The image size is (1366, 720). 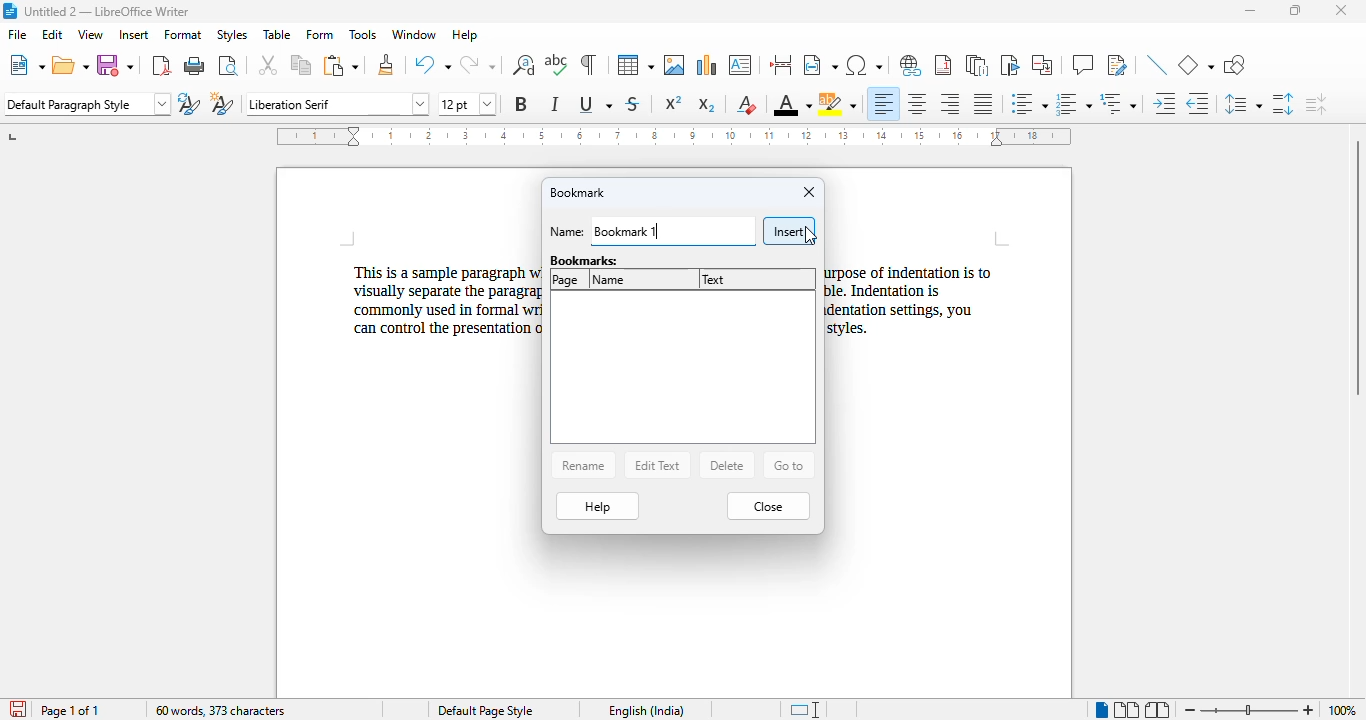 What do you see at coordinates (1196, 64) in the screenshot?
I see `basic shapes` at bounding box center [1196, 64].